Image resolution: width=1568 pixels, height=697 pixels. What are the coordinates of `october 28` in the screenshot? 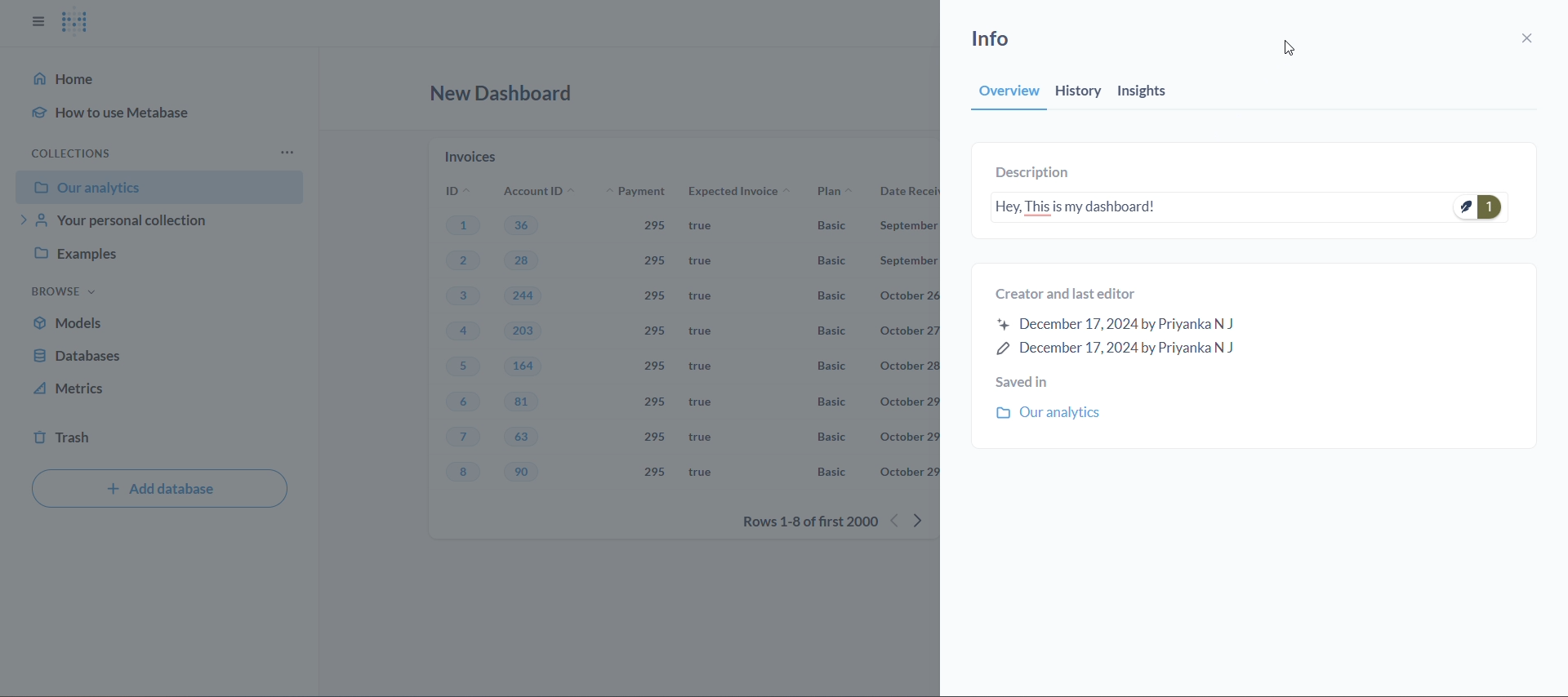 It's located at (905, 366).